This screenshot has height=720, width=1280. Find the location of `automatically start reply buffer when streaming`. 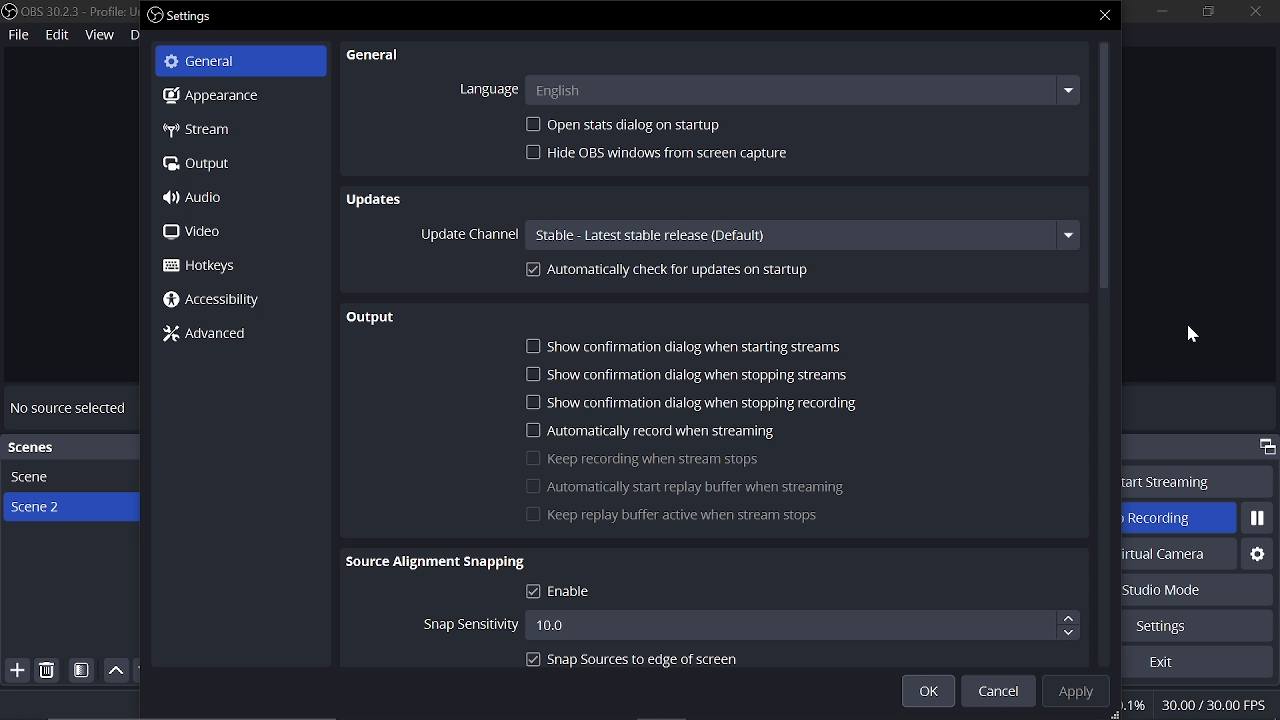

automatically start reply buffer when streaming is located at coordinates (683, 487).